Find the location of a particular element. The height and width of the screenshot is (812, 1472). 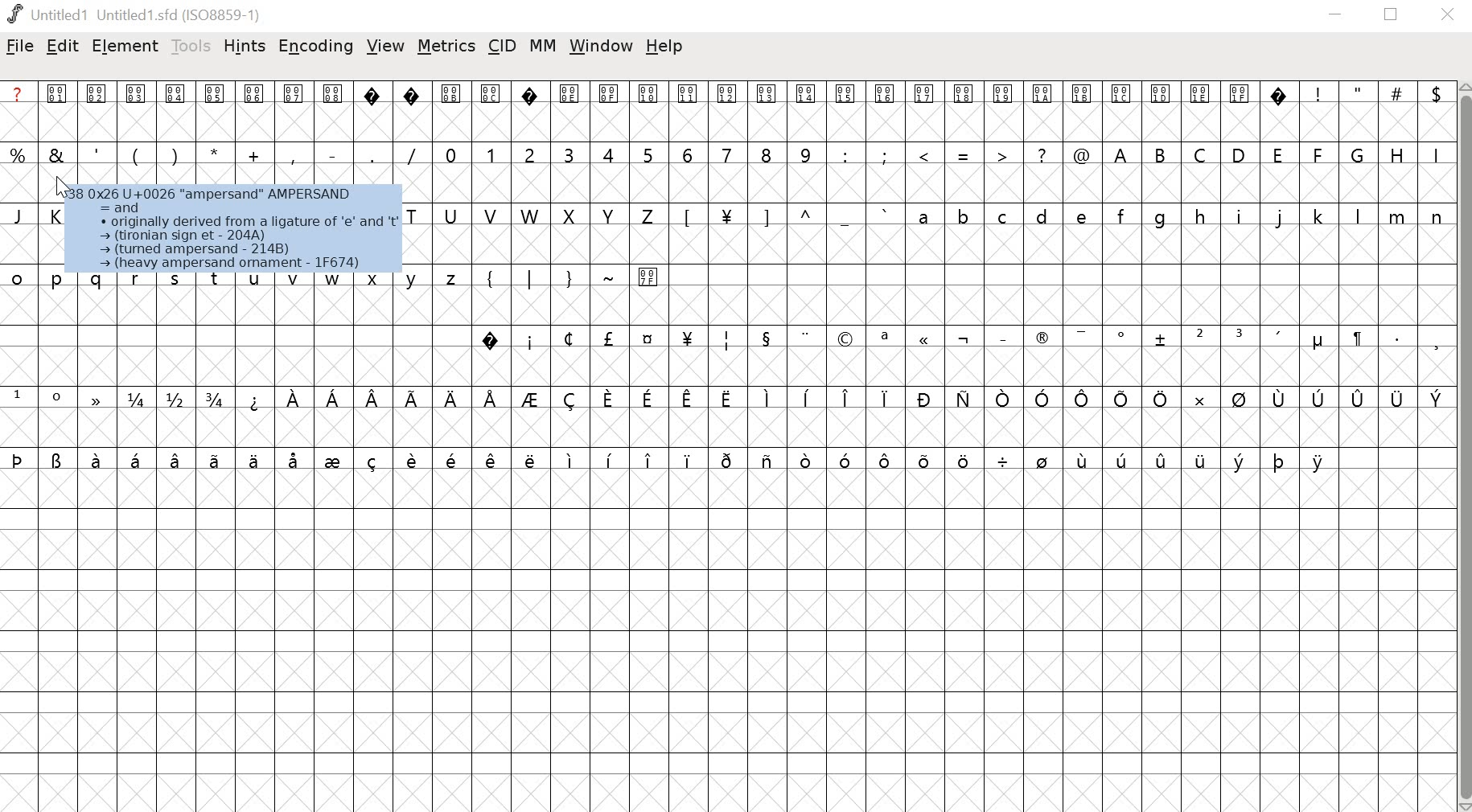

$ is located at coordinates (1434, 112).